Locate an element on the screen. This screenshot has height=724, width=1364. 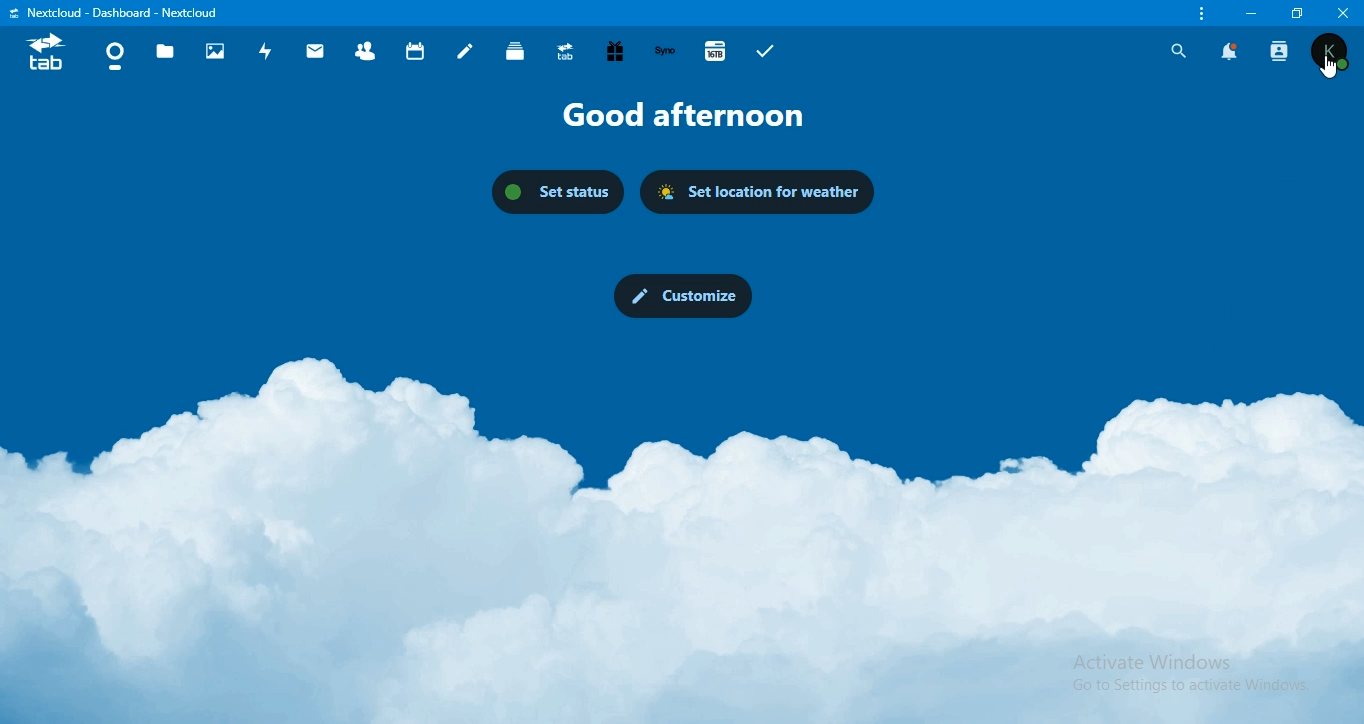
16TB is located at coordinates (717, 50).